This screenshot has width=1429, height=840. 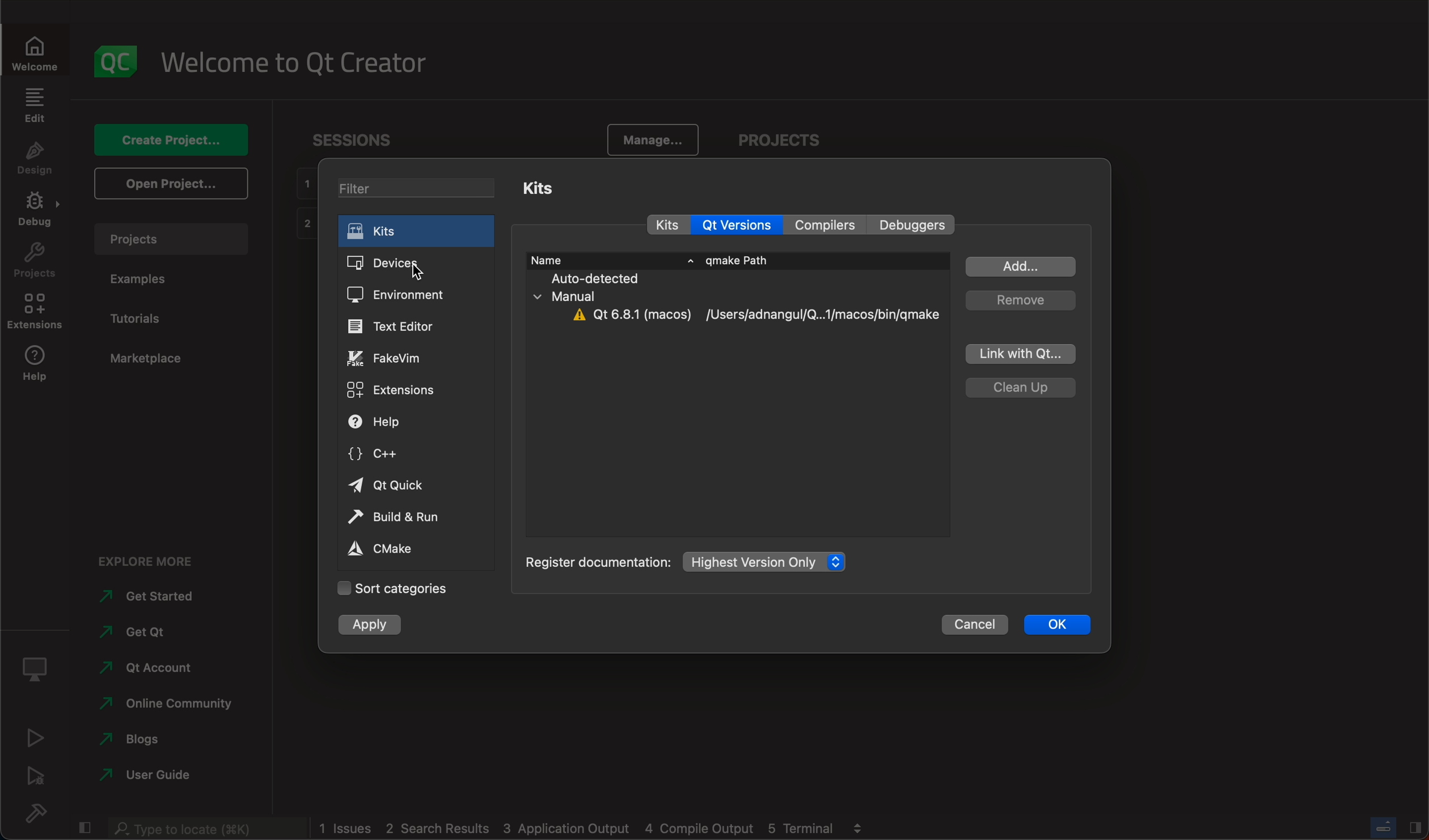 I want to click on highest version only, so click(x=770, y=561).